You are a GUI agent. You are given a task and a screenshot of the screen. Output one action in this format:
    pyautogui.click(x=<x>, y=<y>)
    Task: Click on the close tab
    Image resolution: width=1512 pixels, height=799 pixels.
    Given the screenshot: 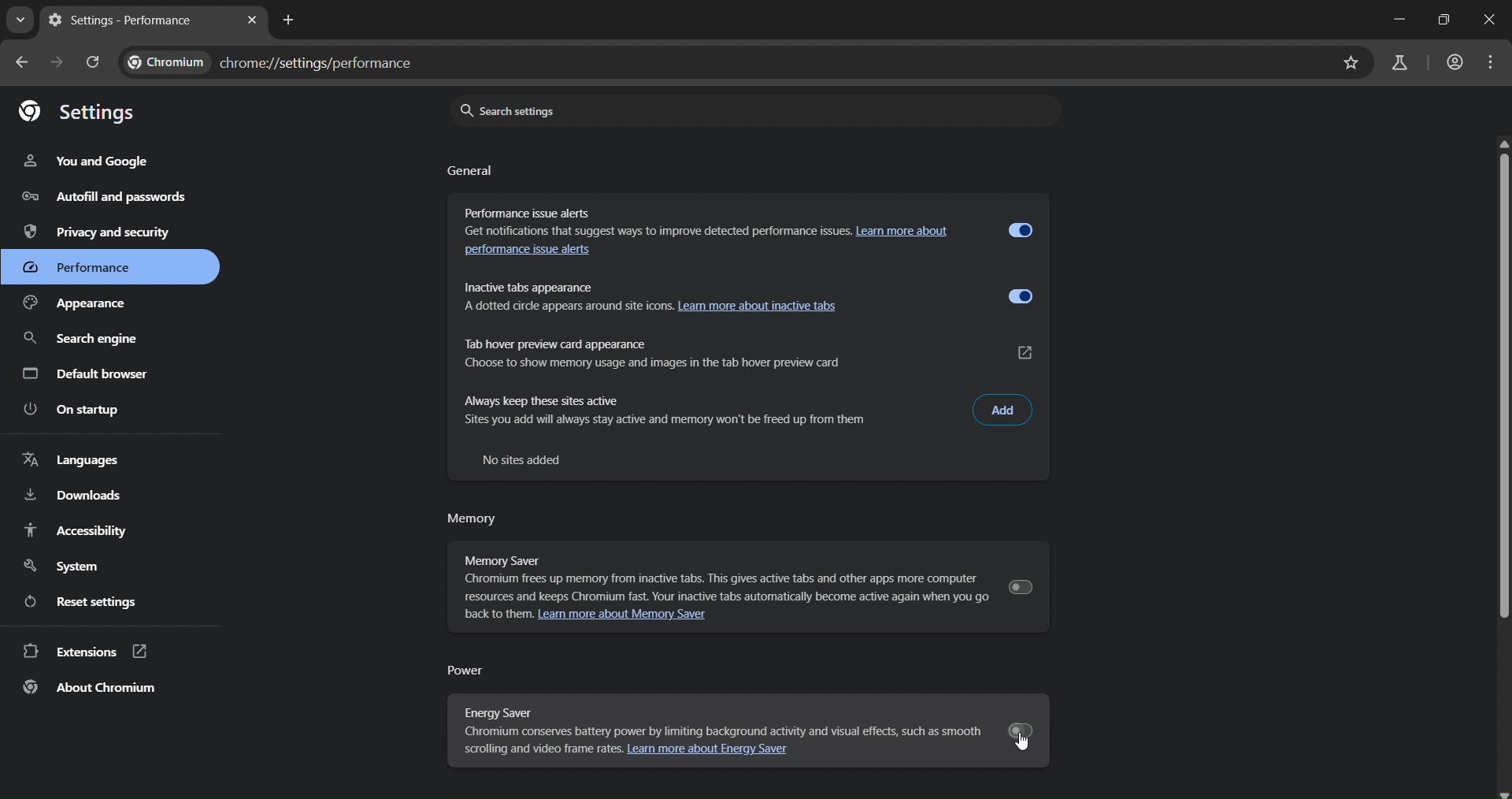 What is the action you would take?
    pyautogui.click(x=254, y=20)
    